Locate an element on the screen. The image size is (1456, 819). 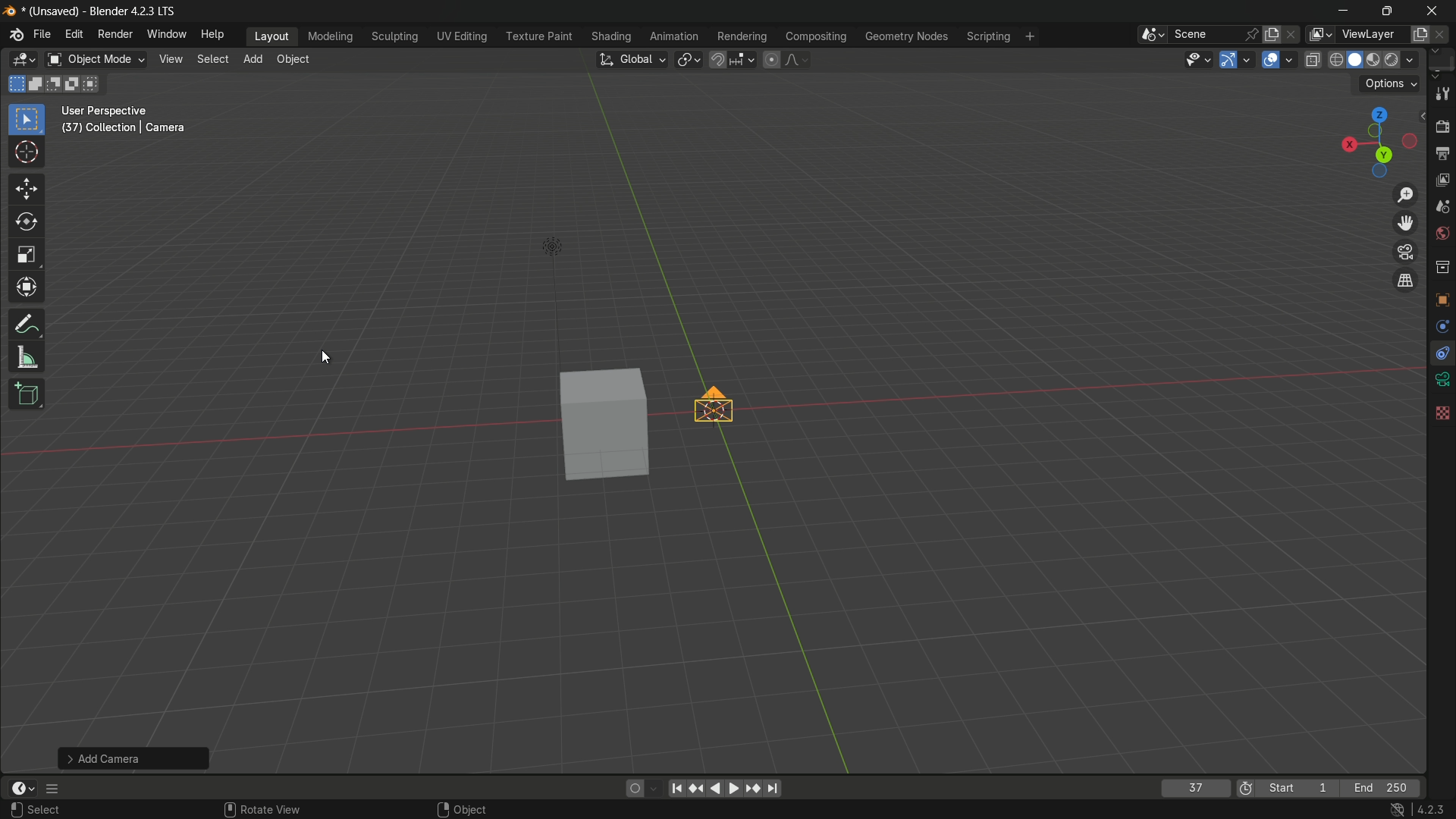
transform is located at coordinates (27, 290).